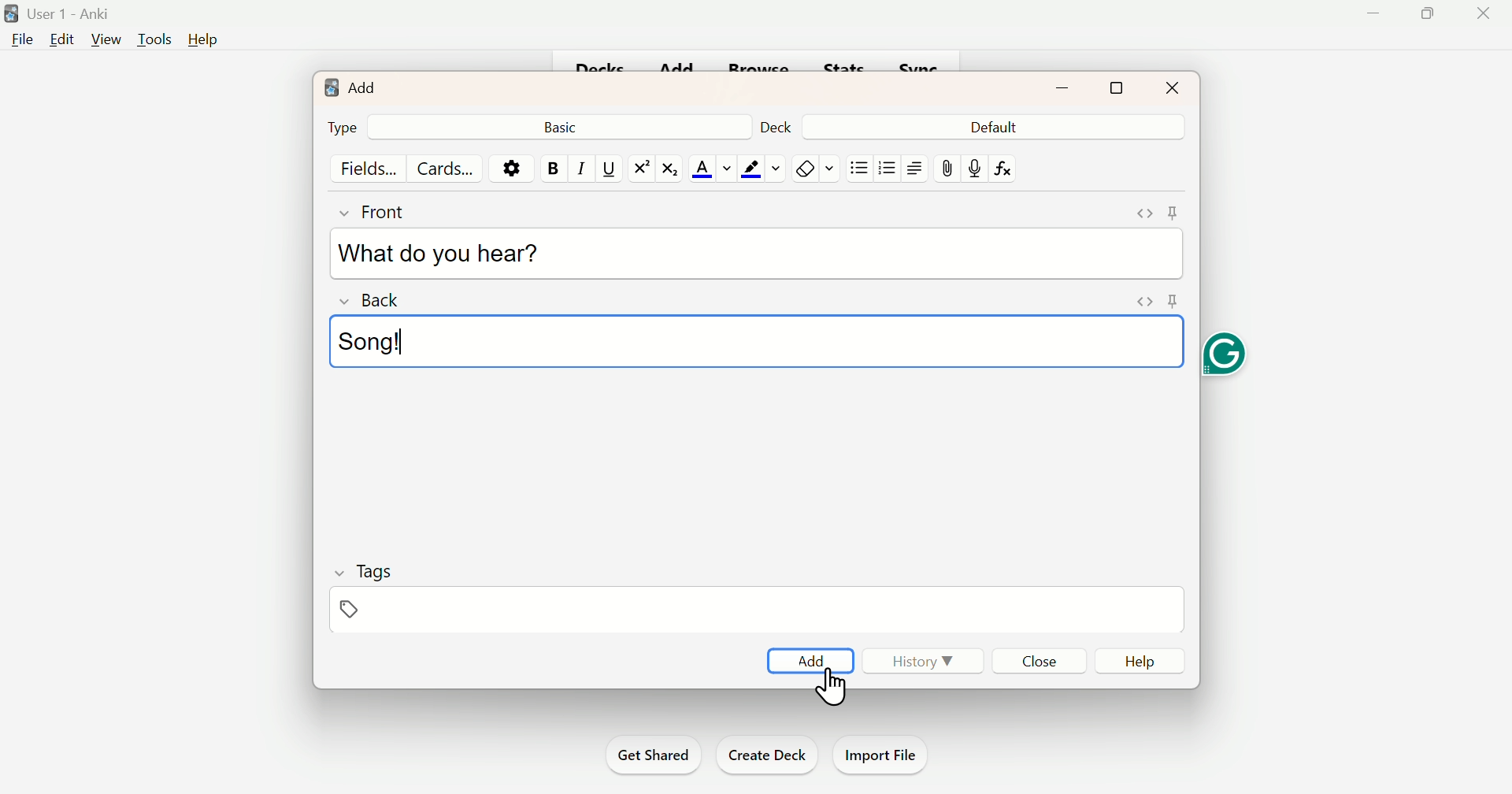  I want to click on Bullets, so click(887, 171).